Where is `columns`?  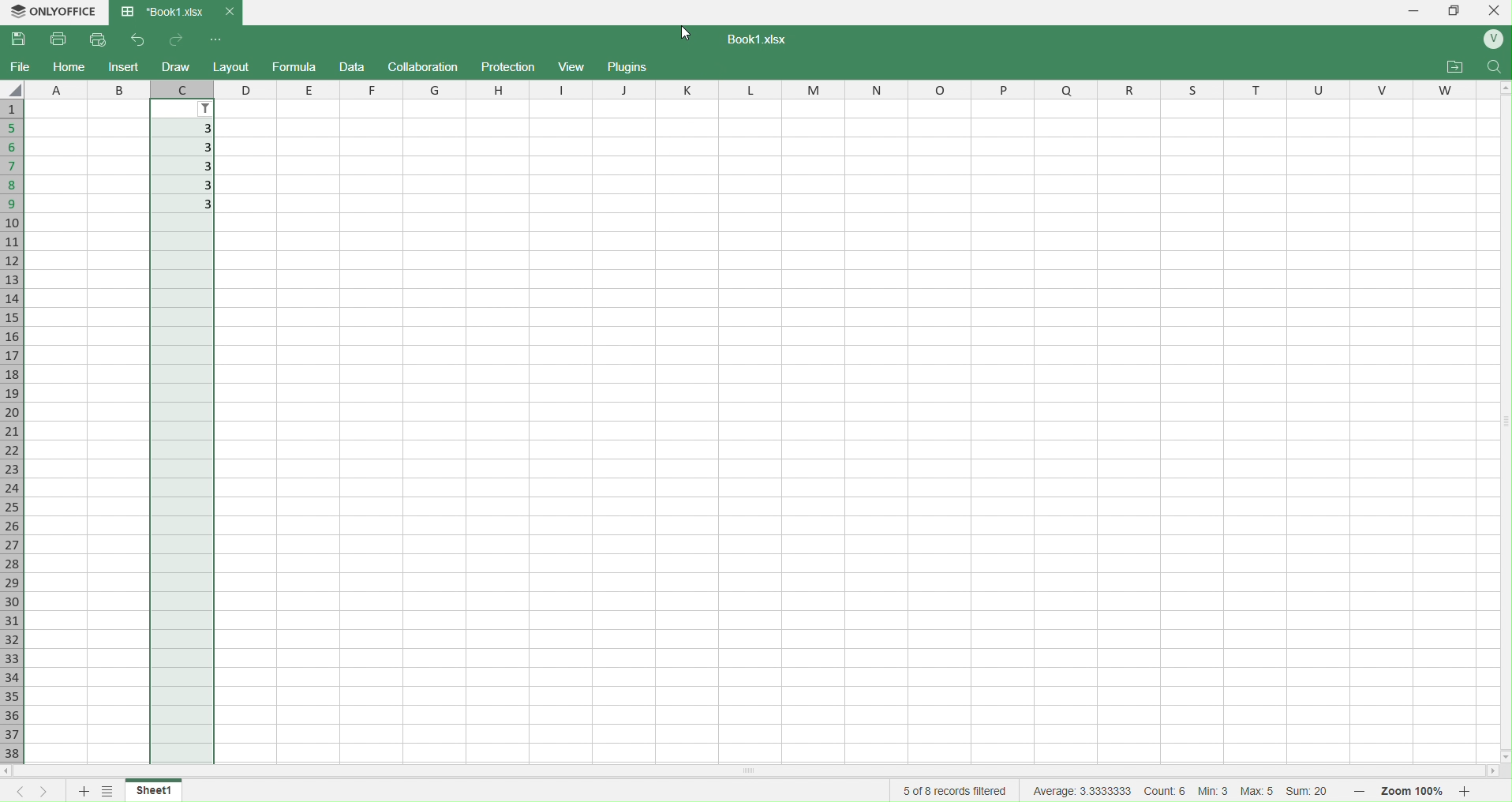
columns is located at coordinates (85, 88).